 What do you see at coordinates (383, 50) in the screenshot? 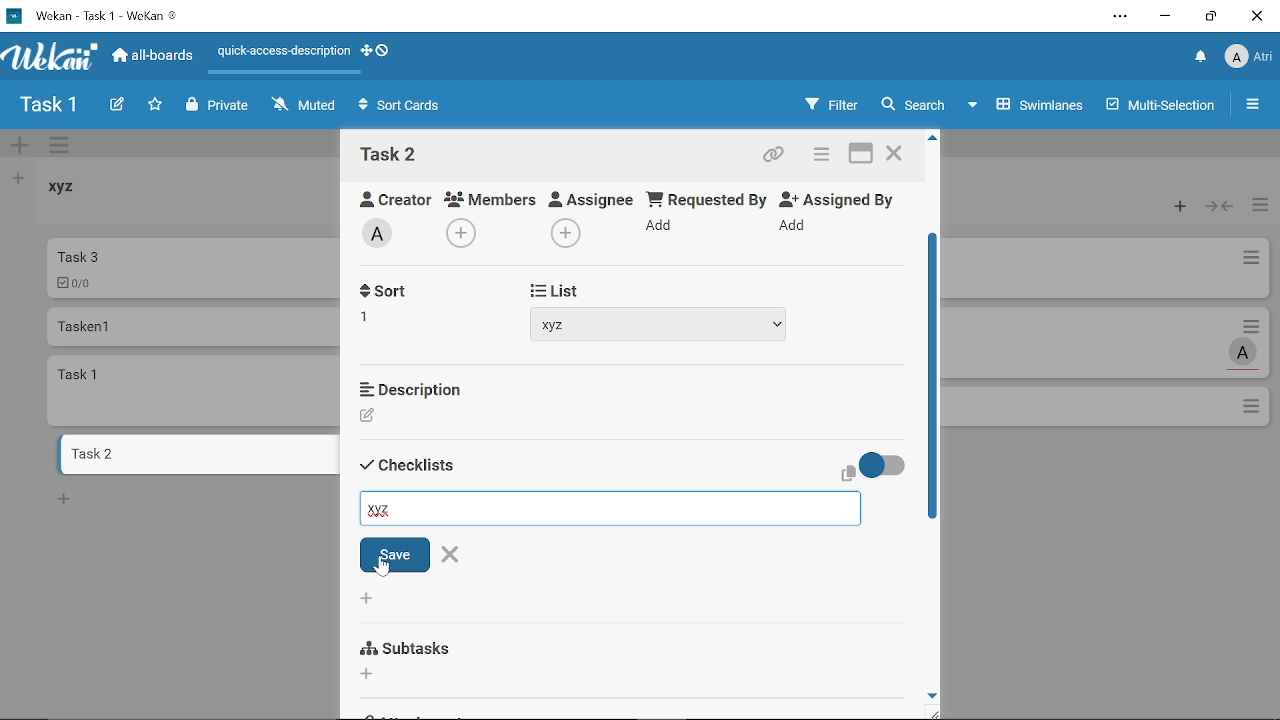
I see `Show desktop drag handlws` at bounding box center [383, 50].